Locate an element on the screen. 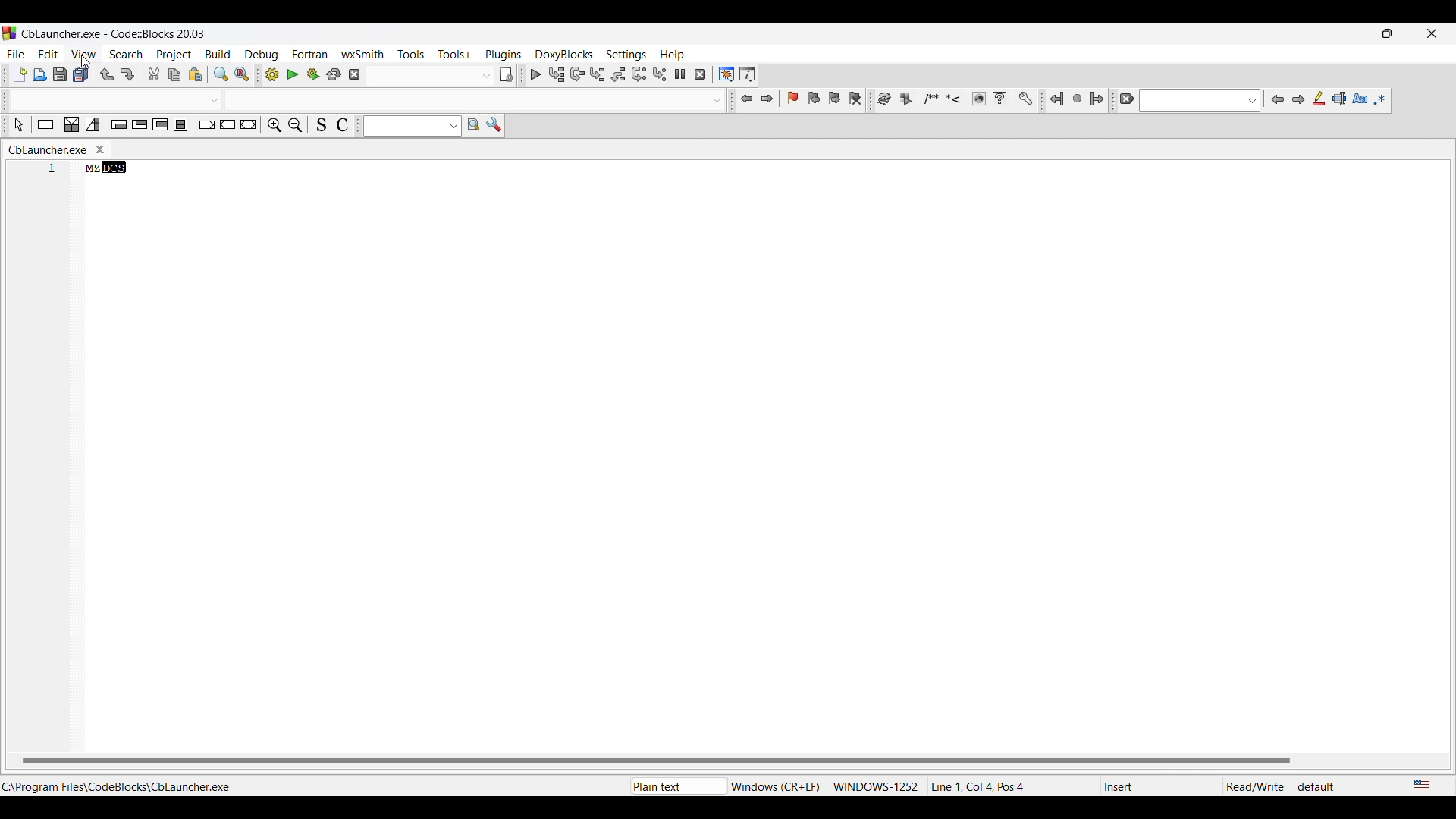 The width and height of the screenshot is (1456, 819). Cut is located at coordinates (154, 74).